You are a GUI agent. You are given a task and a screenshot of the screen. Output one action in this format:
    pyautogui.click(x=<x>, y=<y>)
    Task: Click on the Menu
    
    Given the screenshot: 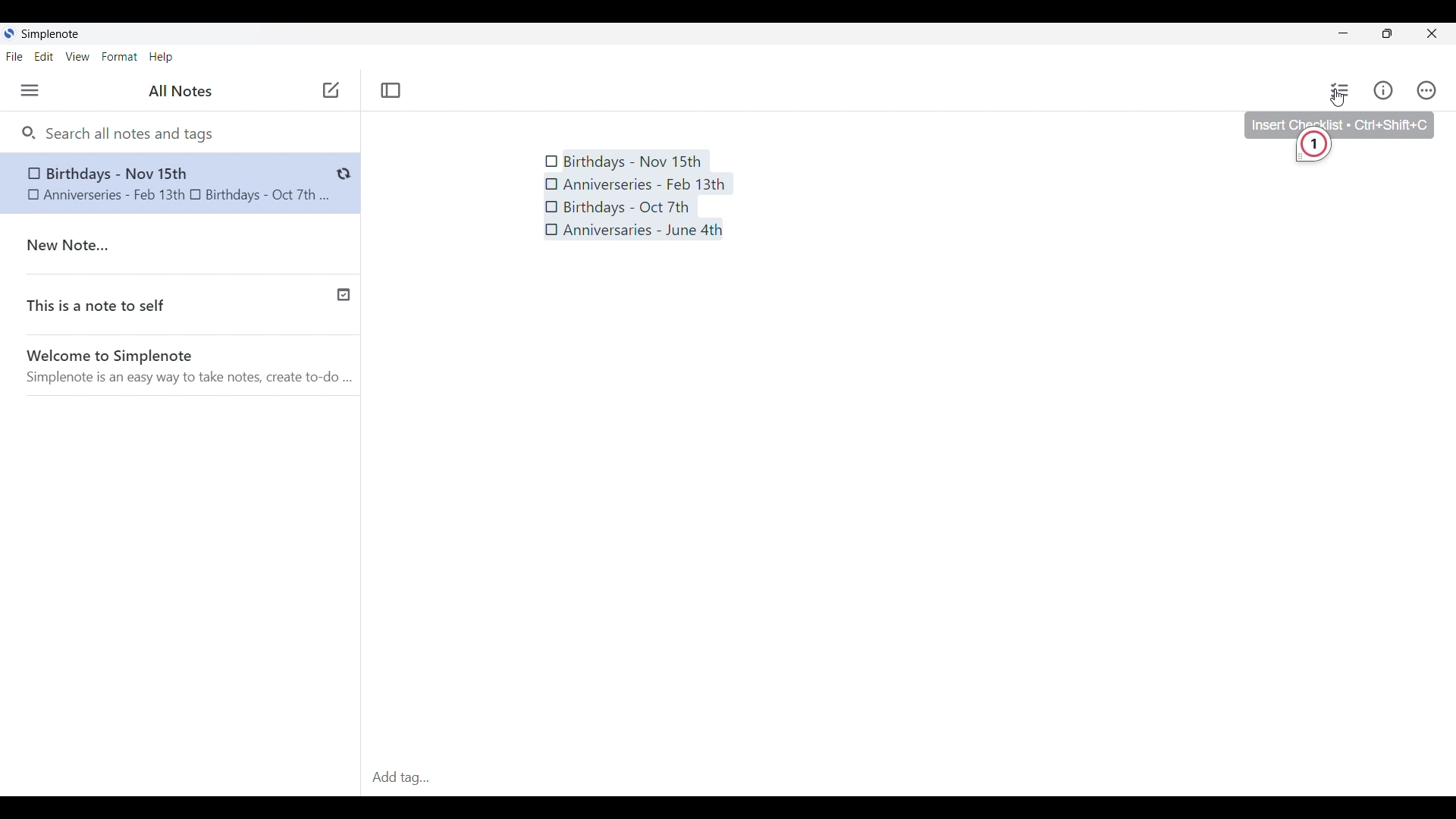 What is the action you would take?
    pyautogui.click(x=30, y=90)
    